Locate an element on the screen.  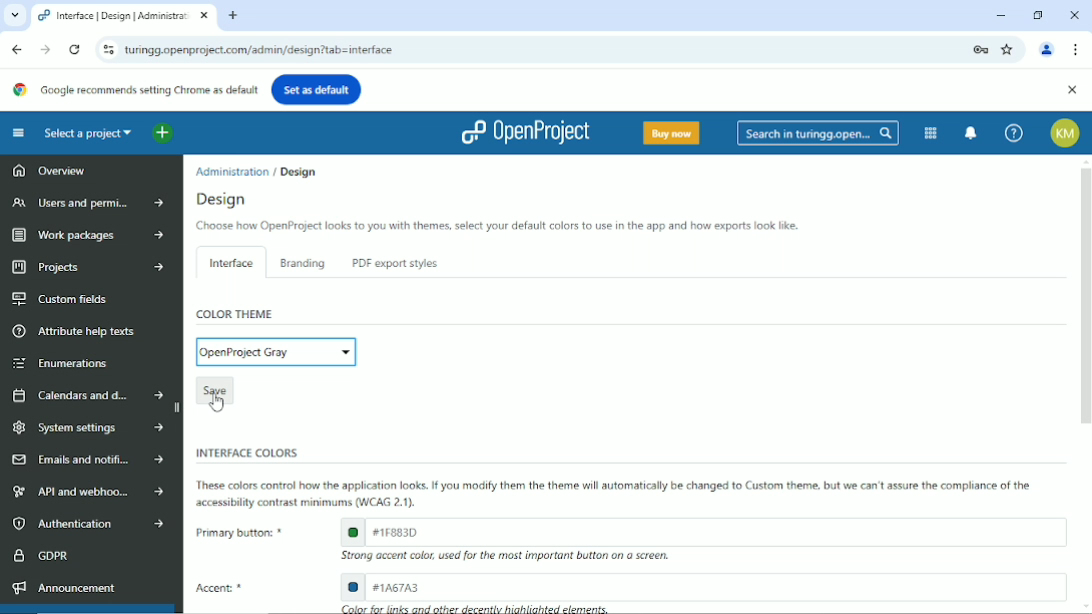
Open quick add menu is located at coordinates (162, 134).